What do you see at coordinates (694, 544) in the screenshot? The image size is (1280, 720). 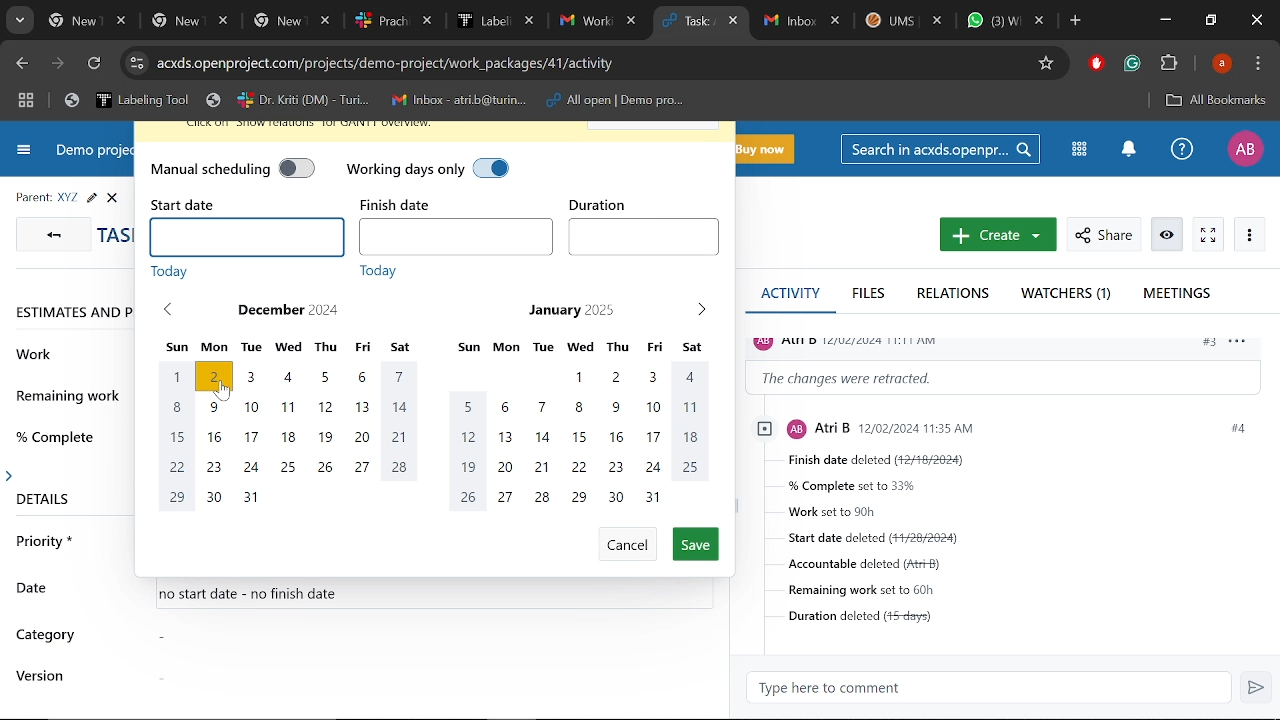 I see `Save` at bounding box center [694, 544].